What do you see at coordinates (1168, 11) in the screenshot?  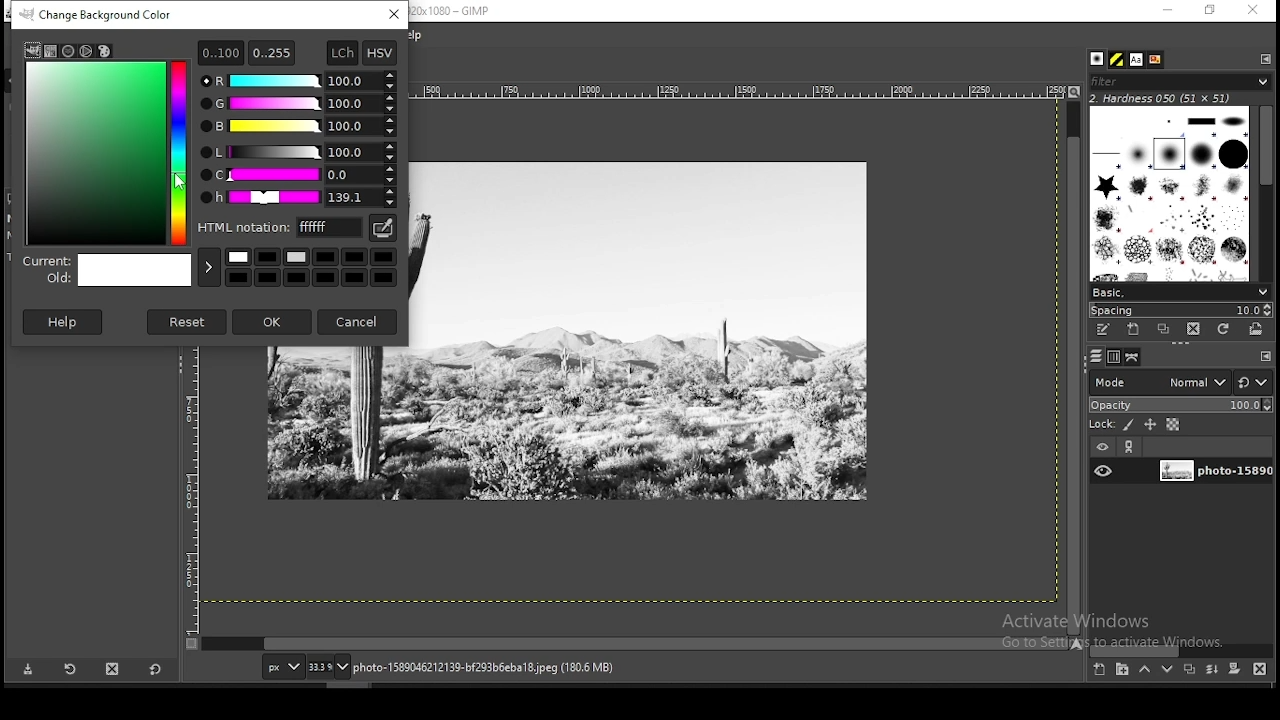 I see `minimize` at bounding box center [1168, 11].